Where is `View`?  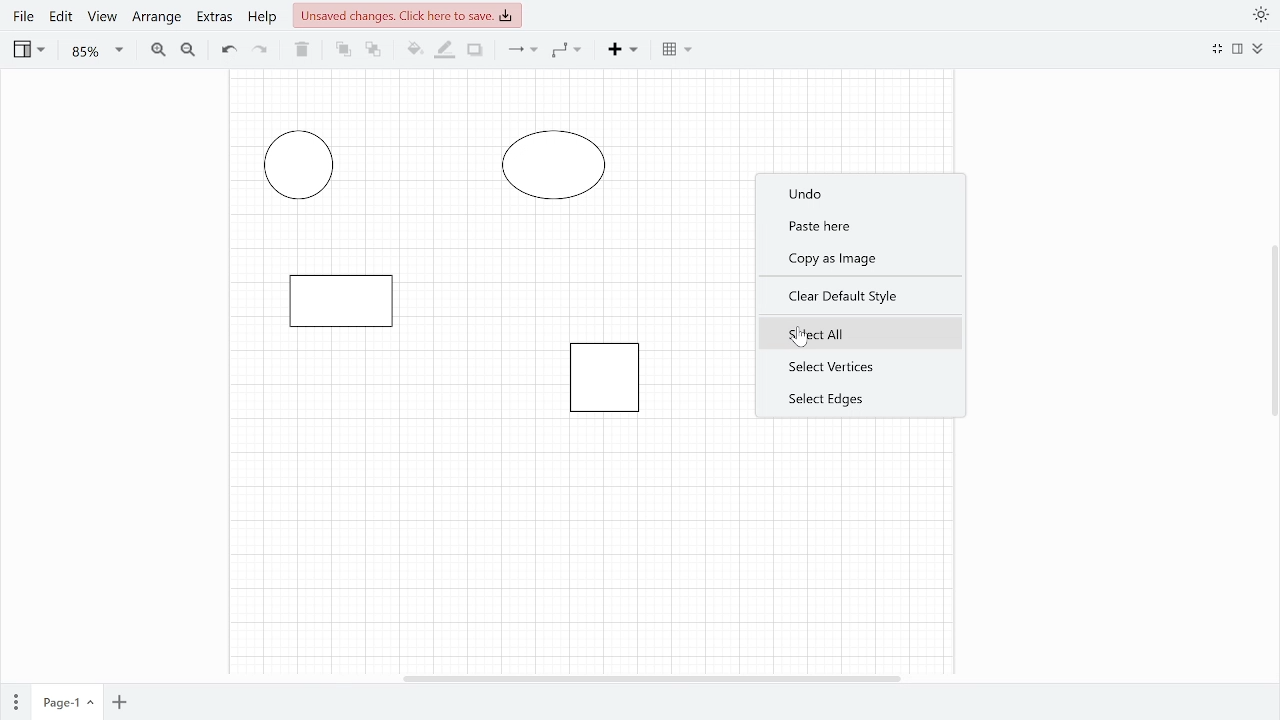 View is located at coordinates (28, 52).